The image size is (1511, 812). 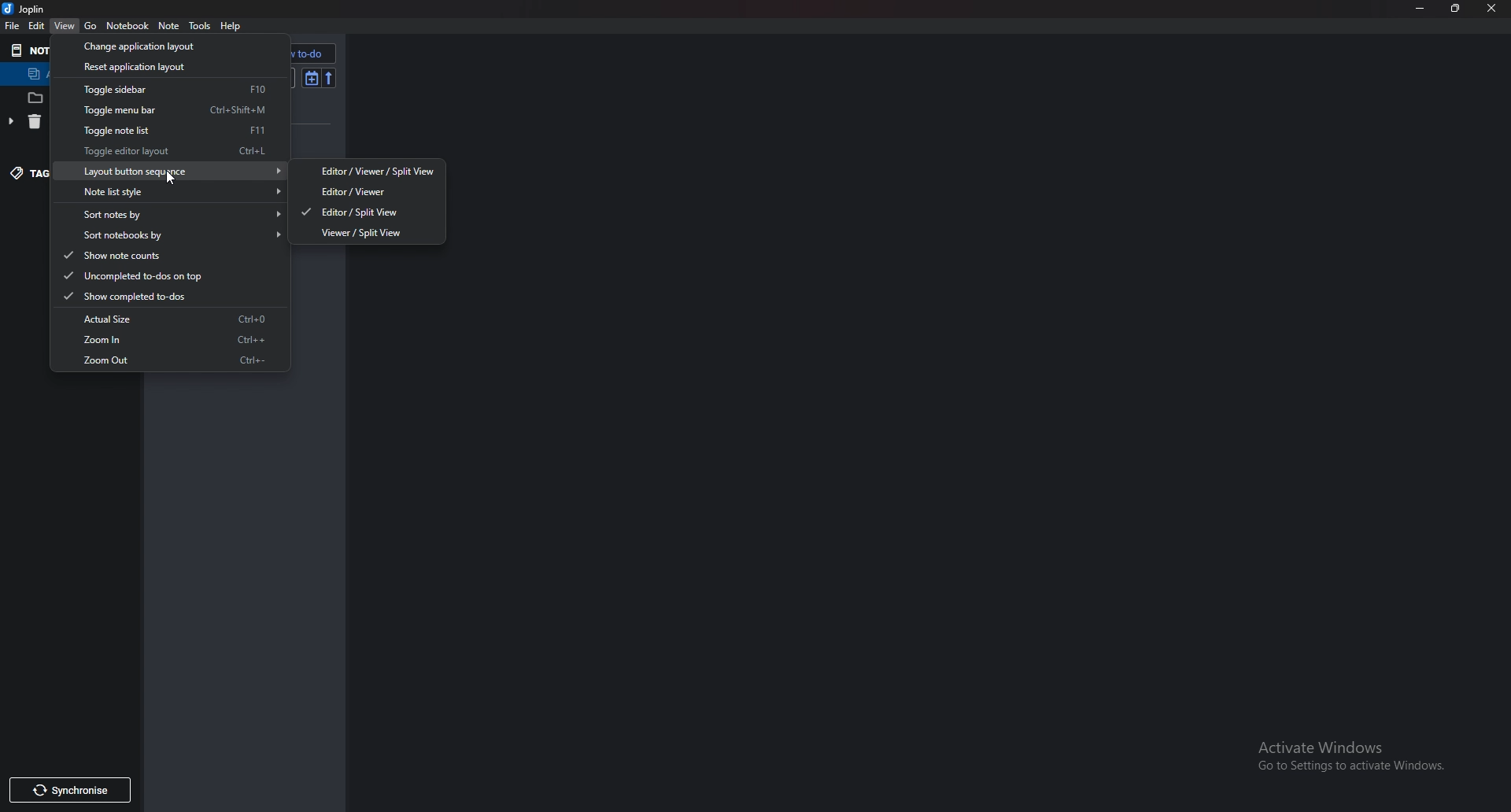 I want to click on Actual Size: Ctrl+ 0, so click(x=172, y=318).